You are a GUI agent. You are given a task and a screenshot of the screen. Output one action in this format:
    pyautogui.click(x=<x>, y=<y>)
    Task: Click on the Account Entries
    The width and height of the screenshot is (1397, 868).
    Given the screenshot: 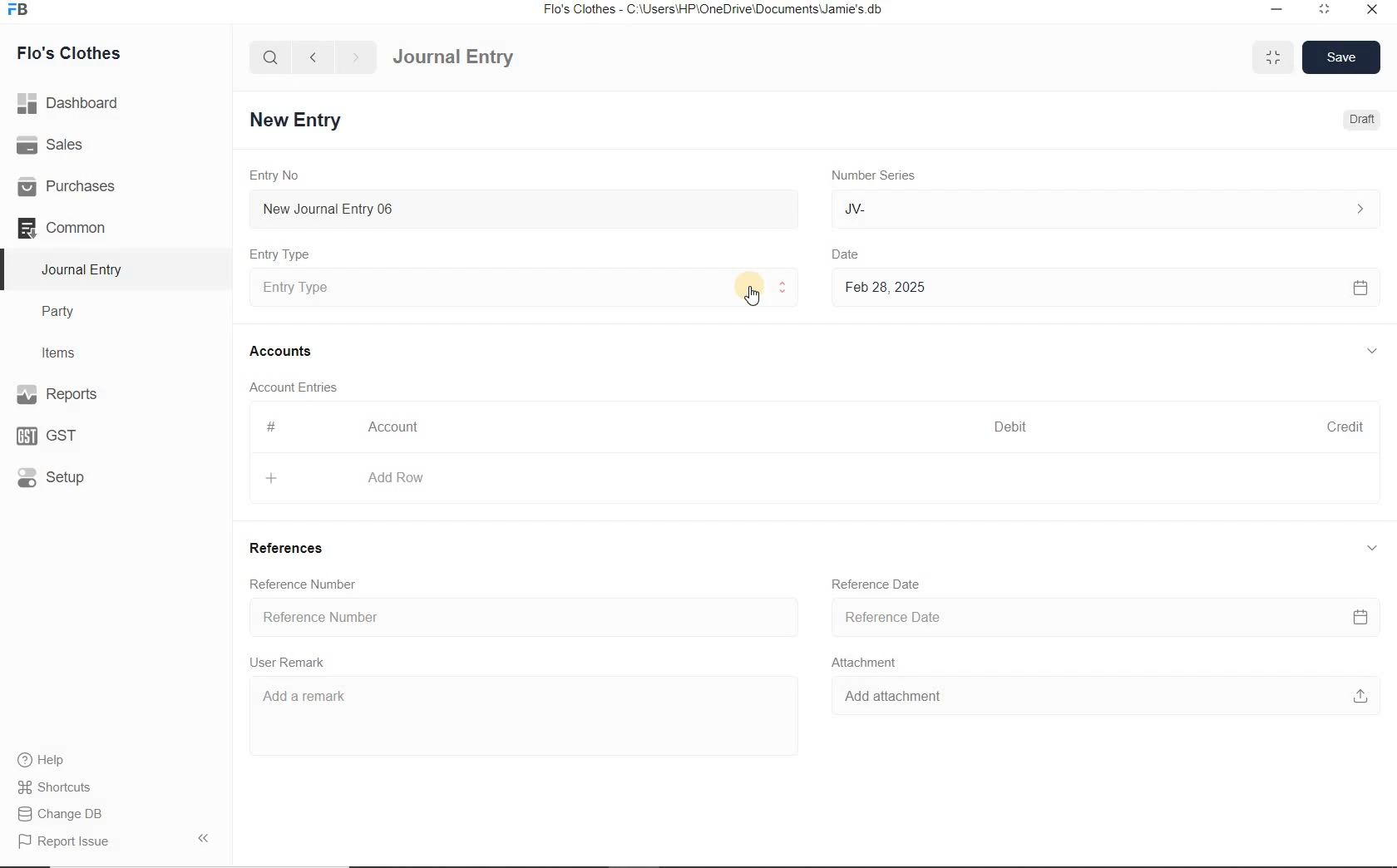 What is the action you would take?
    pyautogui.click(x=300, y=387)
    